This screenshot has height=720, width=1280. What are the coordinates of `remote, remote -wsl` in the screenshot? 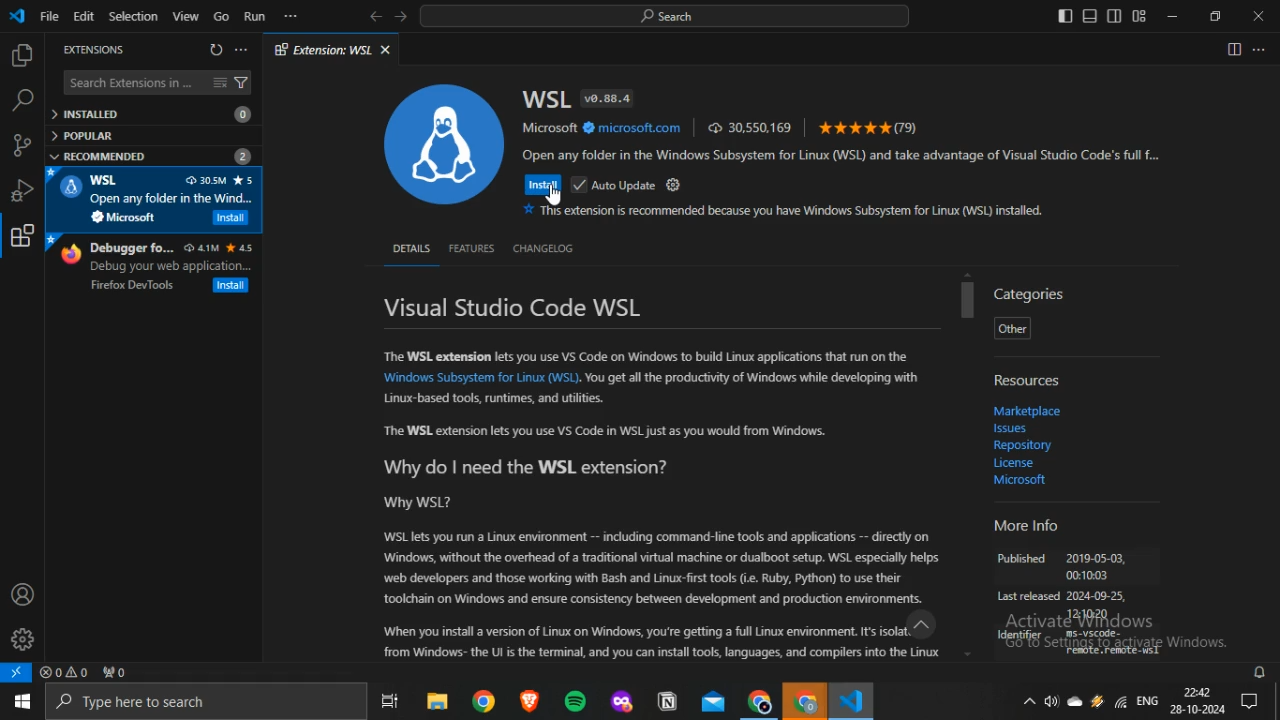 It's located at (1113, 650).